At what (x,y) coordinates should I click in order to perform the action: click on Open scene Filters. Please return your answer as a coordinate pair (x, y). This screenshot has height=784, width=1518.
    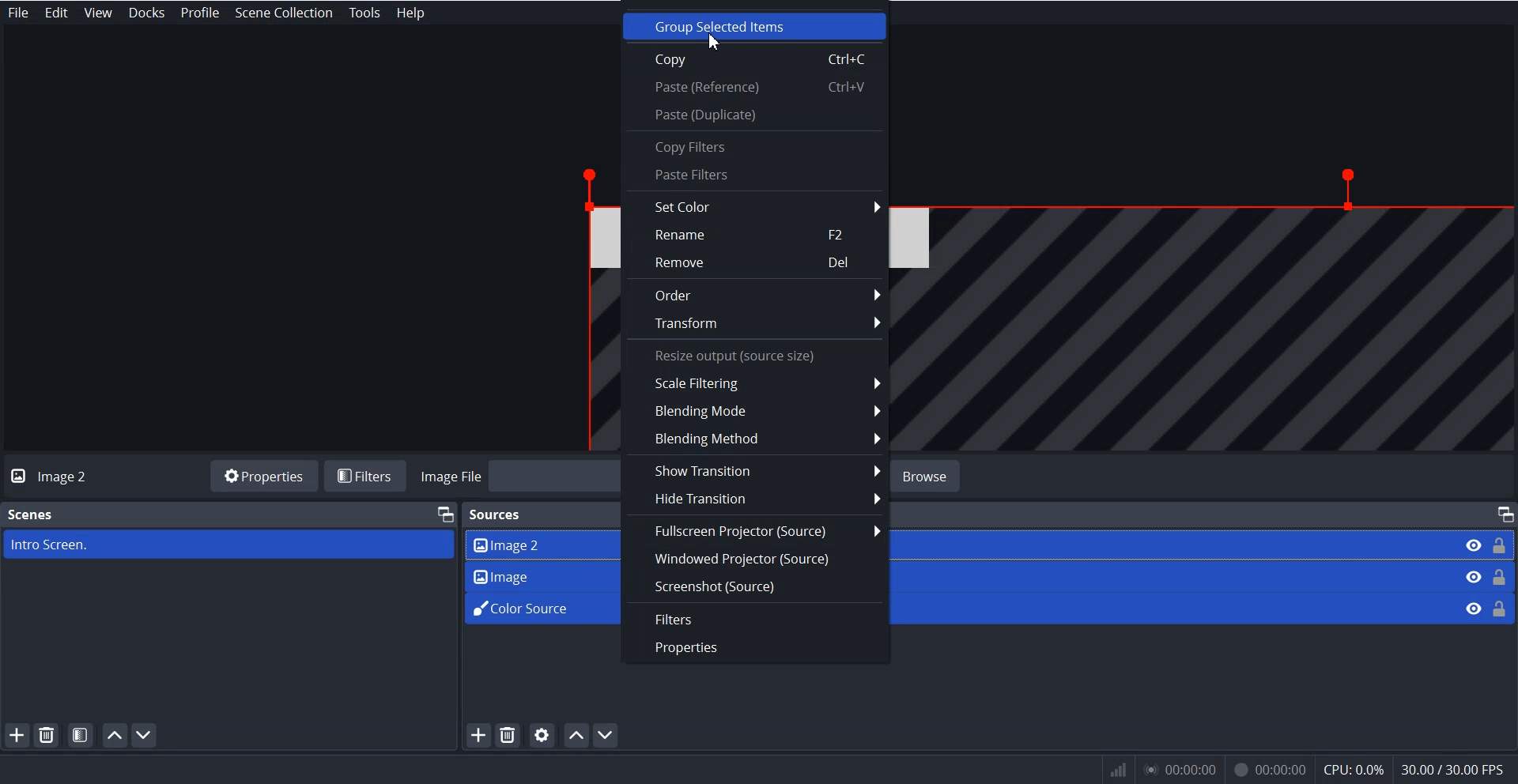
    Looking at the image, I should click on (81, 734).